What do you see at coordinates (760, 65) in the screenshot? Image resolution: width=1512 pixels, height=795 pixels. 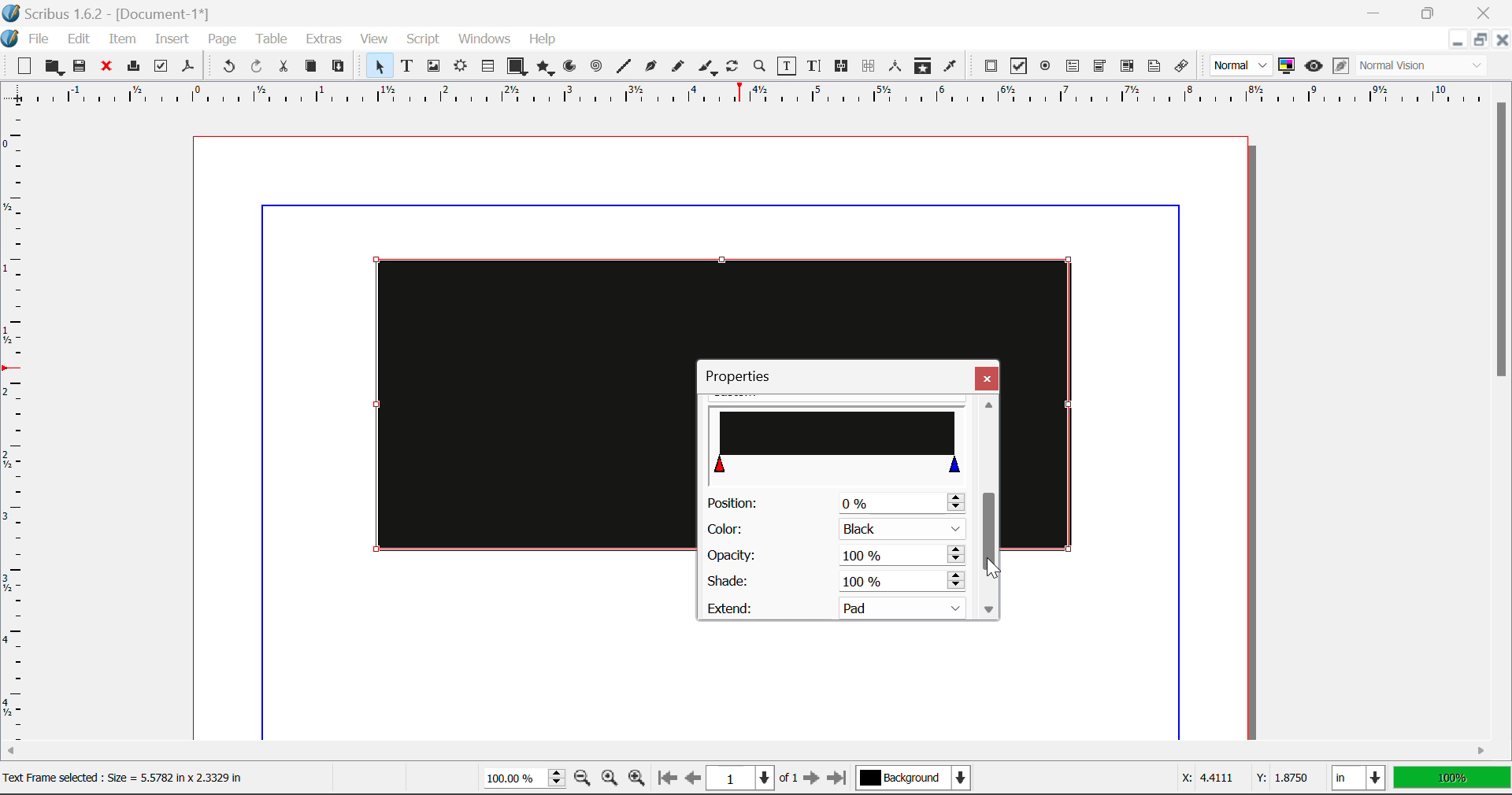 I see `Zoom` at bounding box center [760, 65].